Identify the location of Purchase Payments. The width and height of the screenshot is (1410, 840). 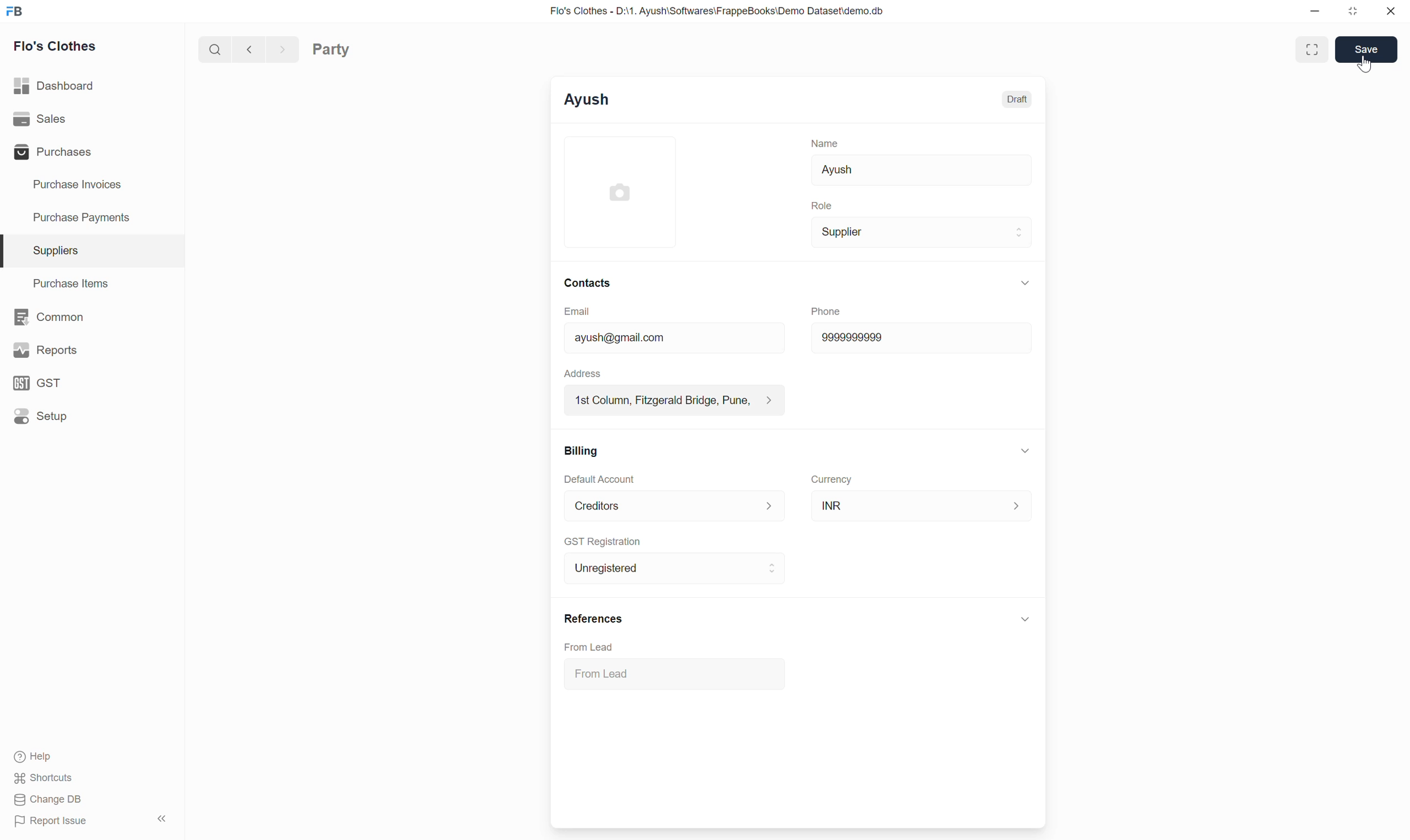
(92, 218).